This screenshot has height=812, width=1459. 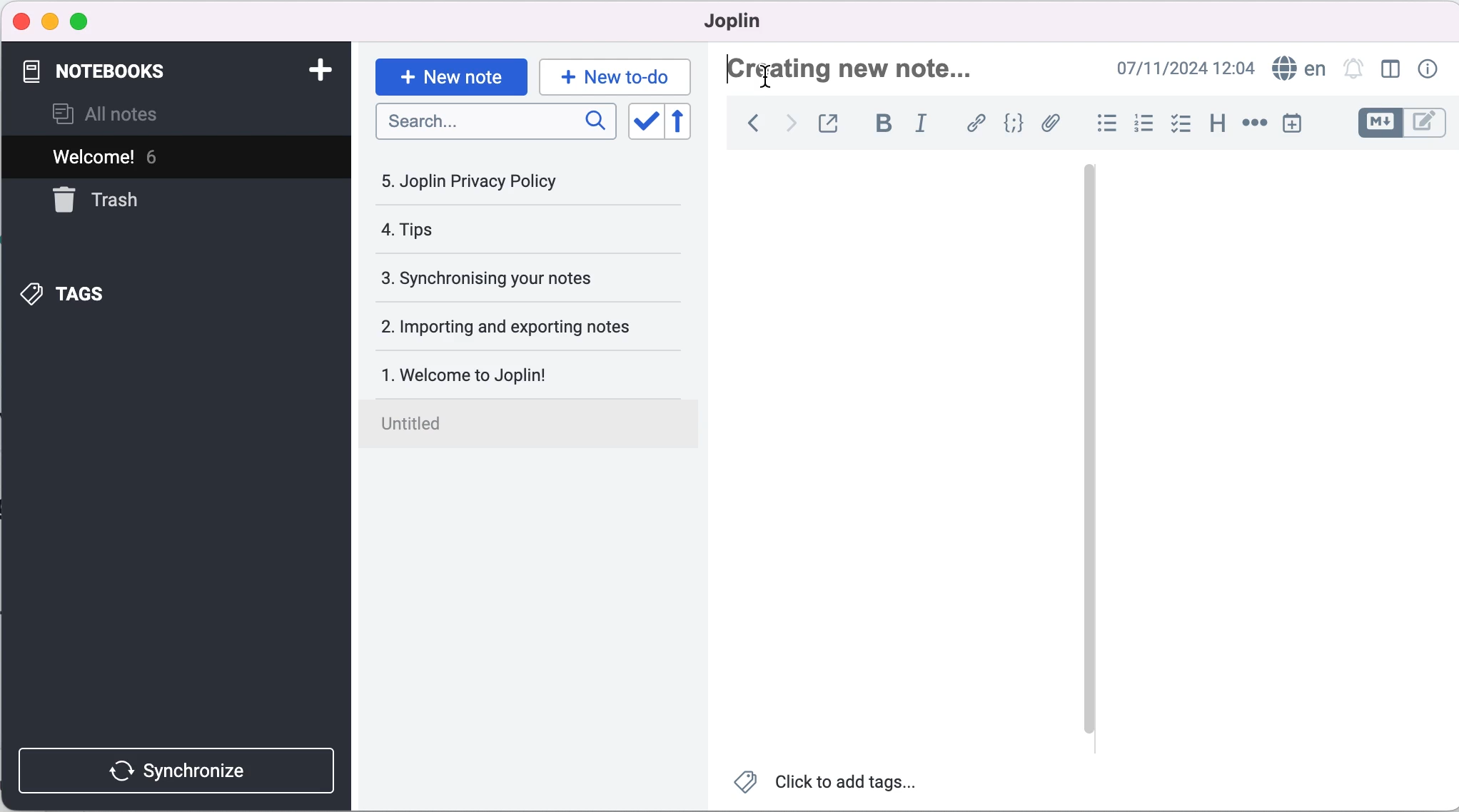 What do you see at coordinates (1254, 125) in the screenshot?
I see `horizontal rule` at bounding box center [1254, 125].